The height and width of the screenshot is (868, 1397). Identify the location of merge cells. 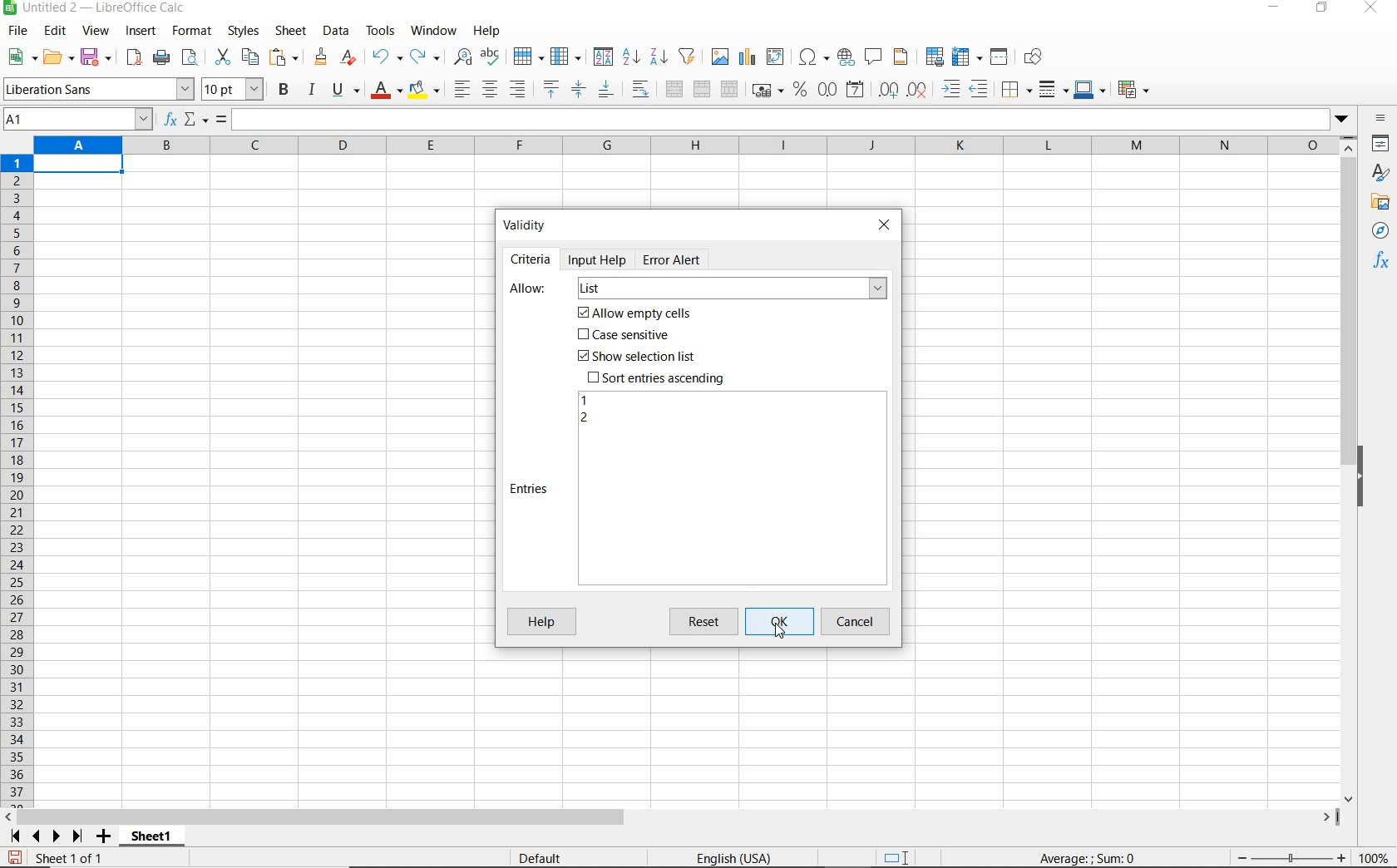
(703, 87).